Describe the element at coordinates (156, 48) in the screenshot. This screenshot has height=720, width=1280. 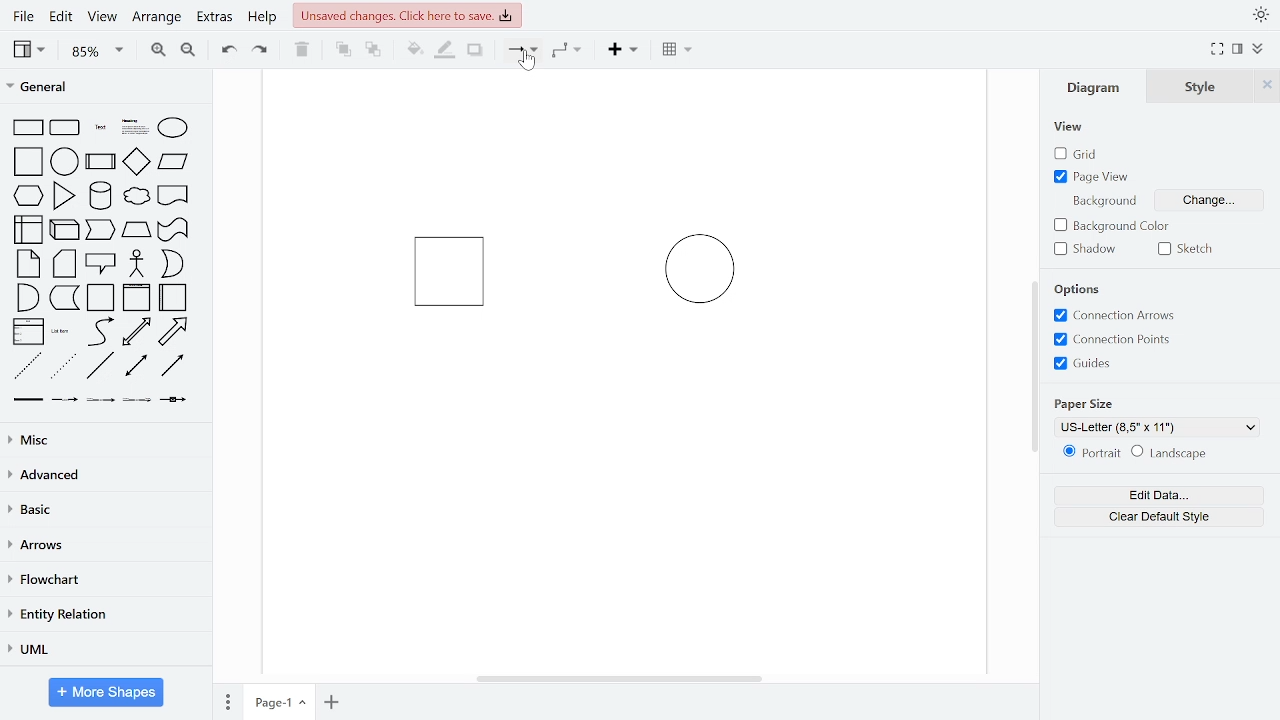
I see `zoom in` at that location.